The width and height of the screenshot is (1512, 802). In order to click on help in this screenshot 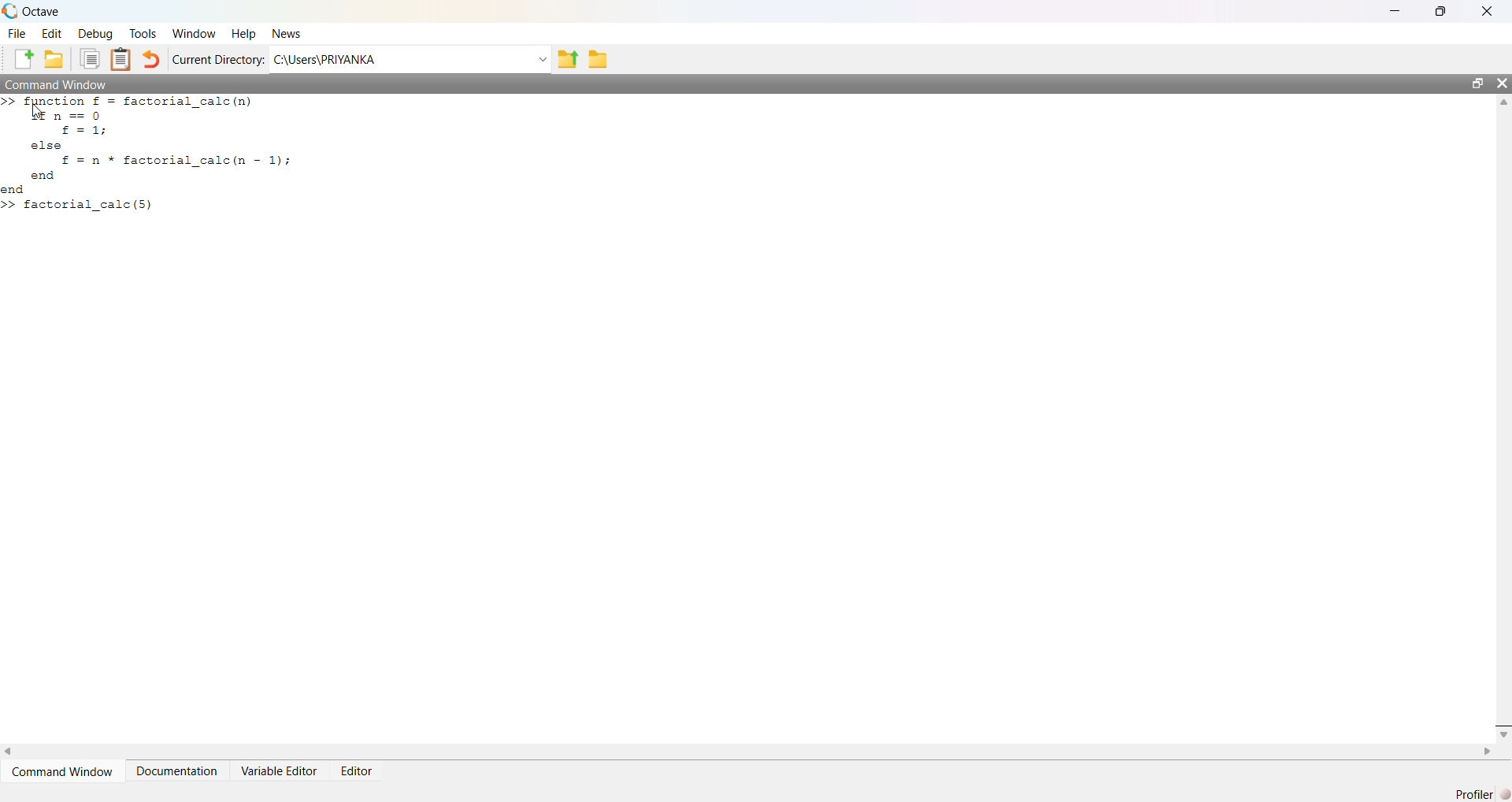, I will do `click(246, 35)`.